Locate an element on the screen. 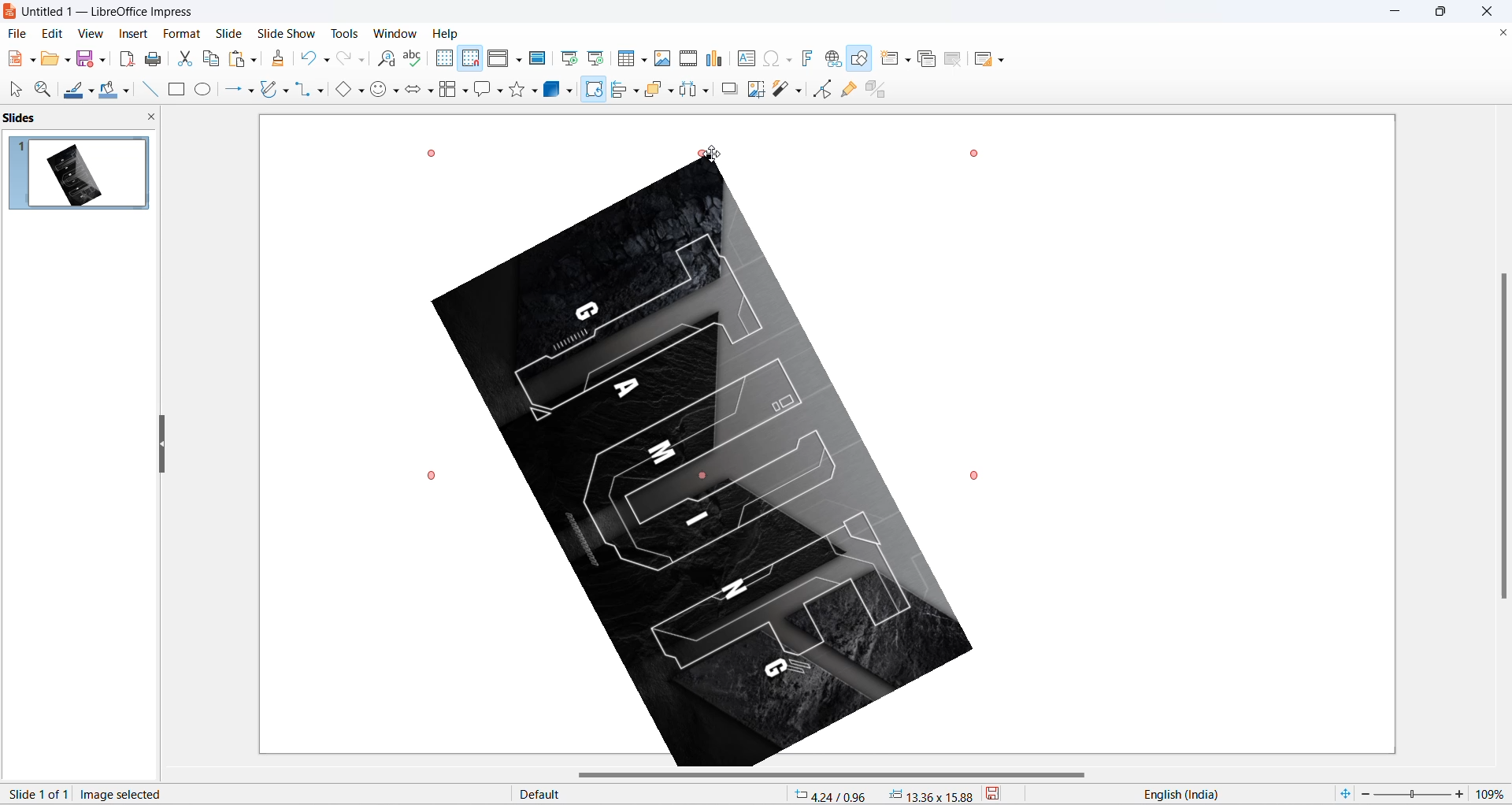 Image resolution: width=1512 pixels, height=805 pixels. filter options is located at coordinates (798, 90).